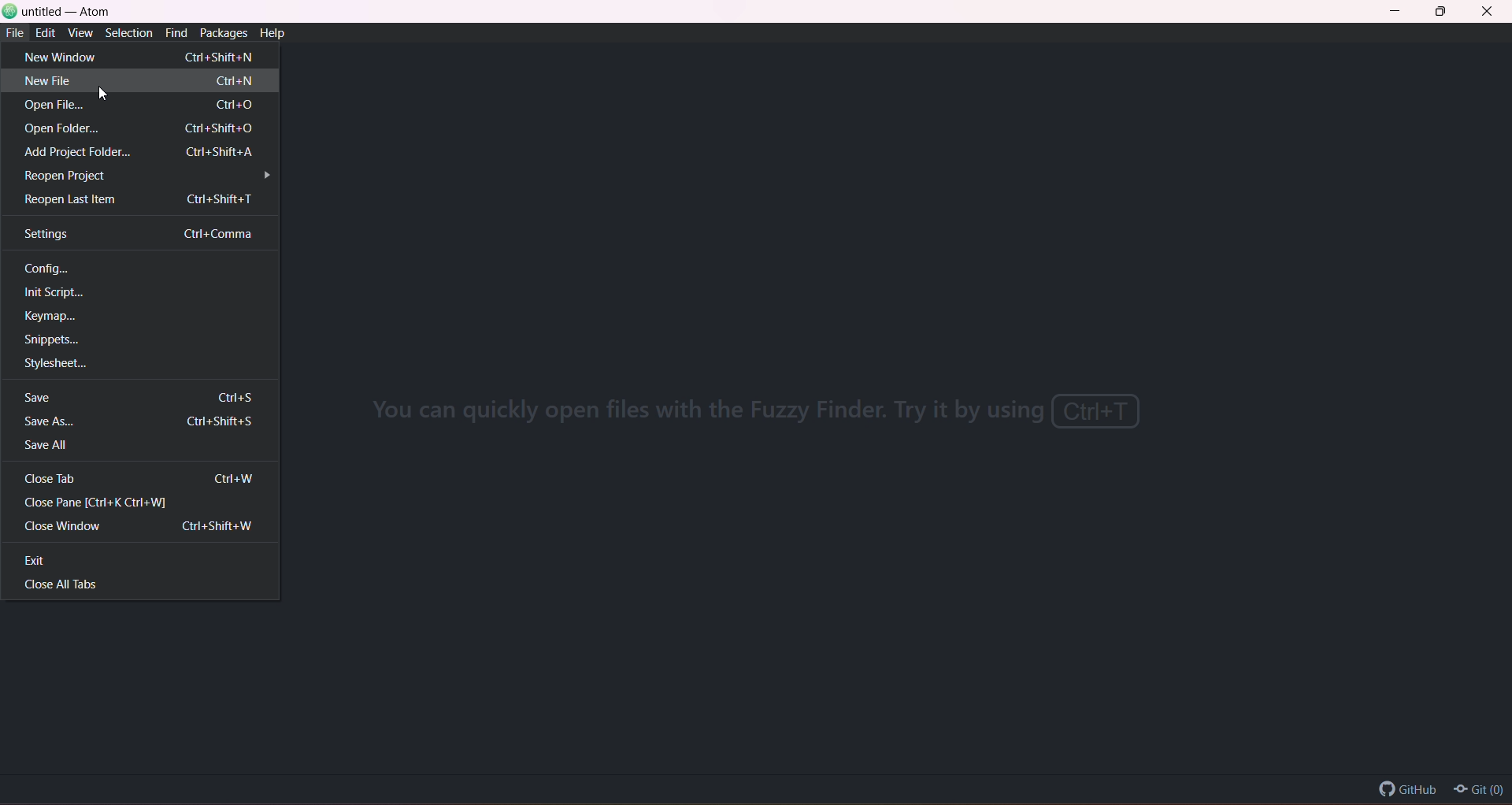 The width and height of the screenshot is (1512, 805). Describe the element at coordinates (145, 234) in the screenshot. I see `Settings Ctrl+Comma` at that location.